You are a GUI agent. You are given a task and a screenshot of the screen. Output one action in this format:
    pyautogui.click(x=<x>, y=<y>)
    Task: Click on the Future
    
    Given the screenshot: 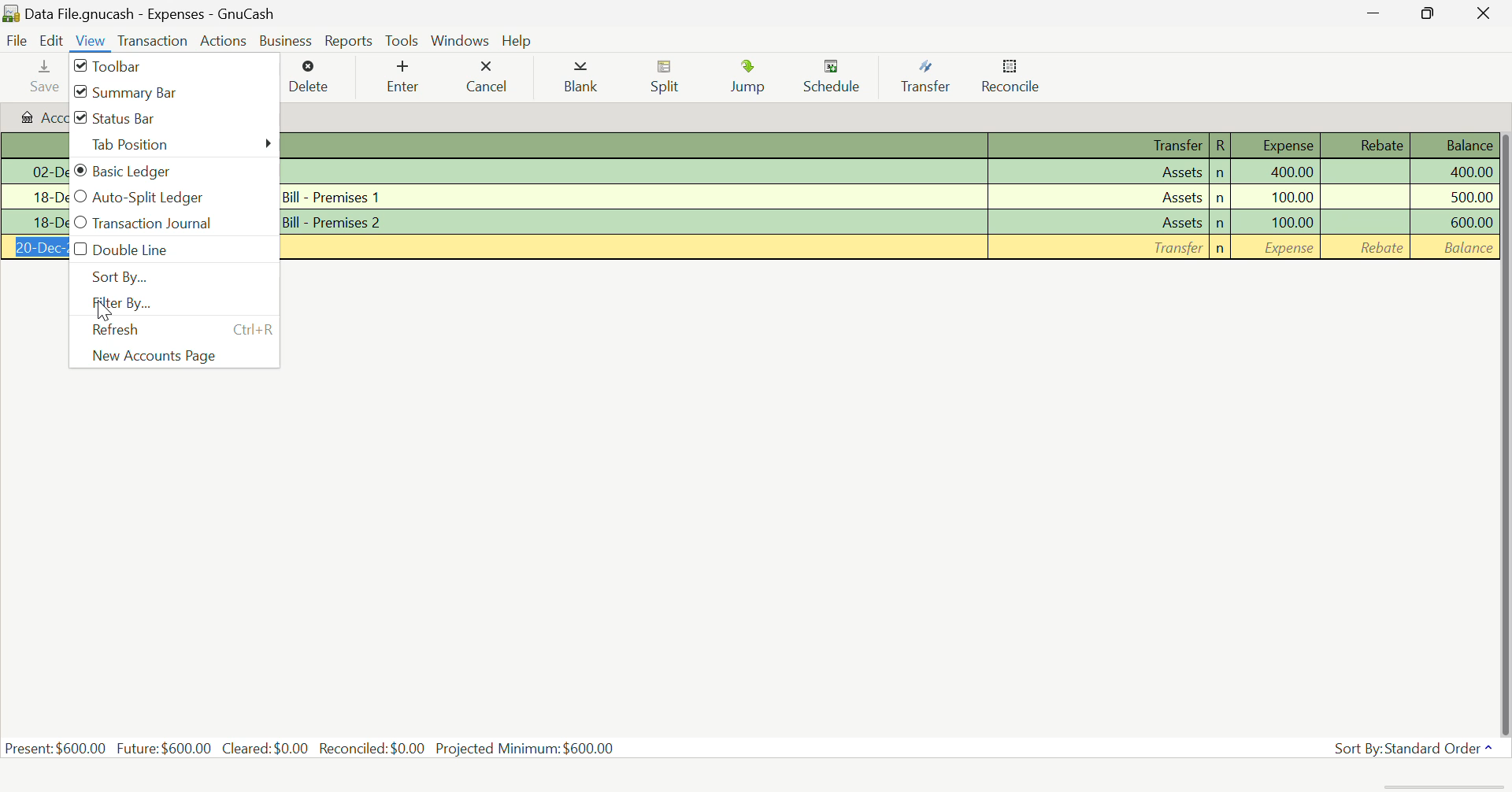 What is the action you would take?
    pyautogui.click(x=164, y=748)
    